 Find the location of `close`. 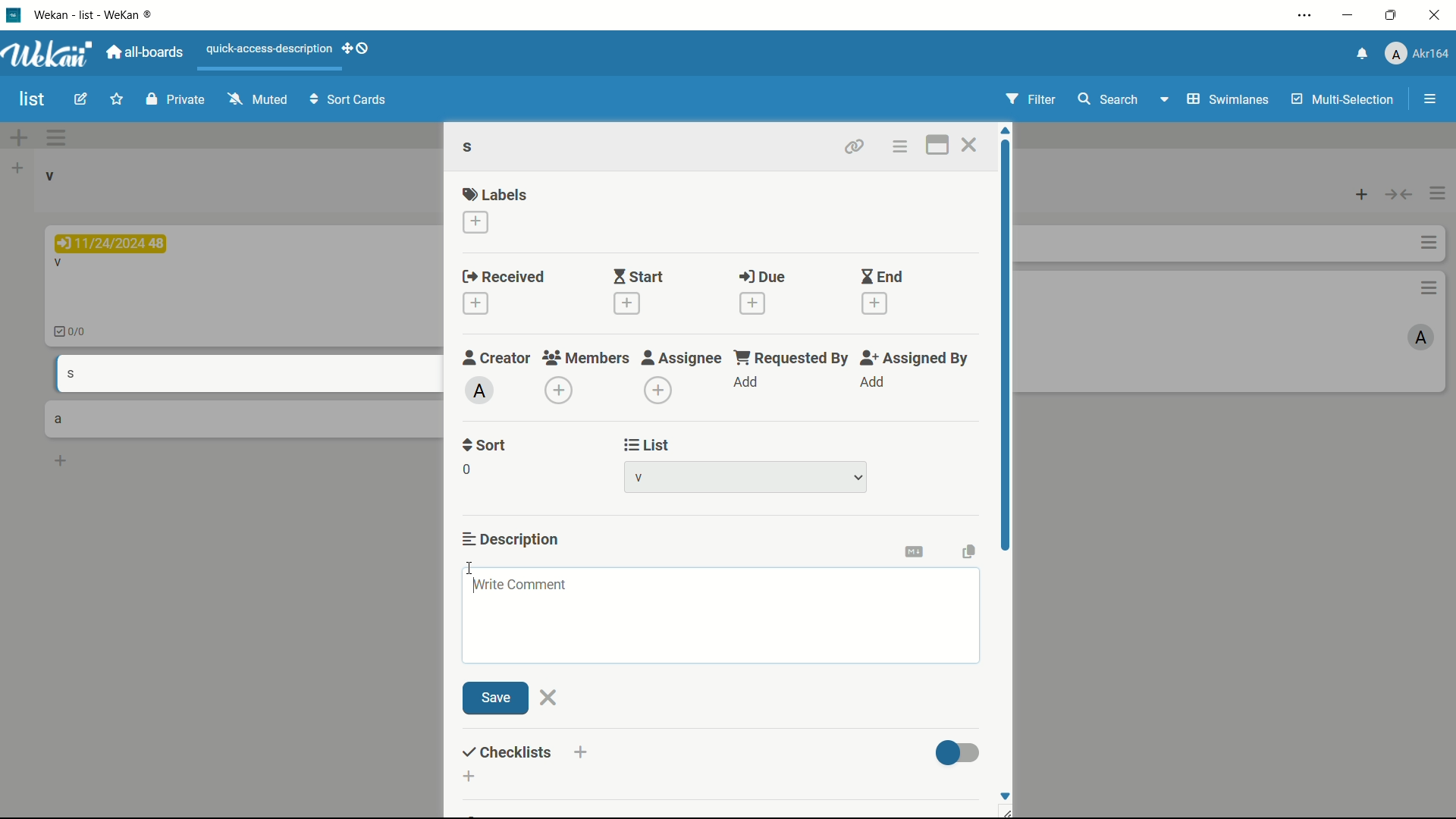

close is located at coordinates (549, 698).